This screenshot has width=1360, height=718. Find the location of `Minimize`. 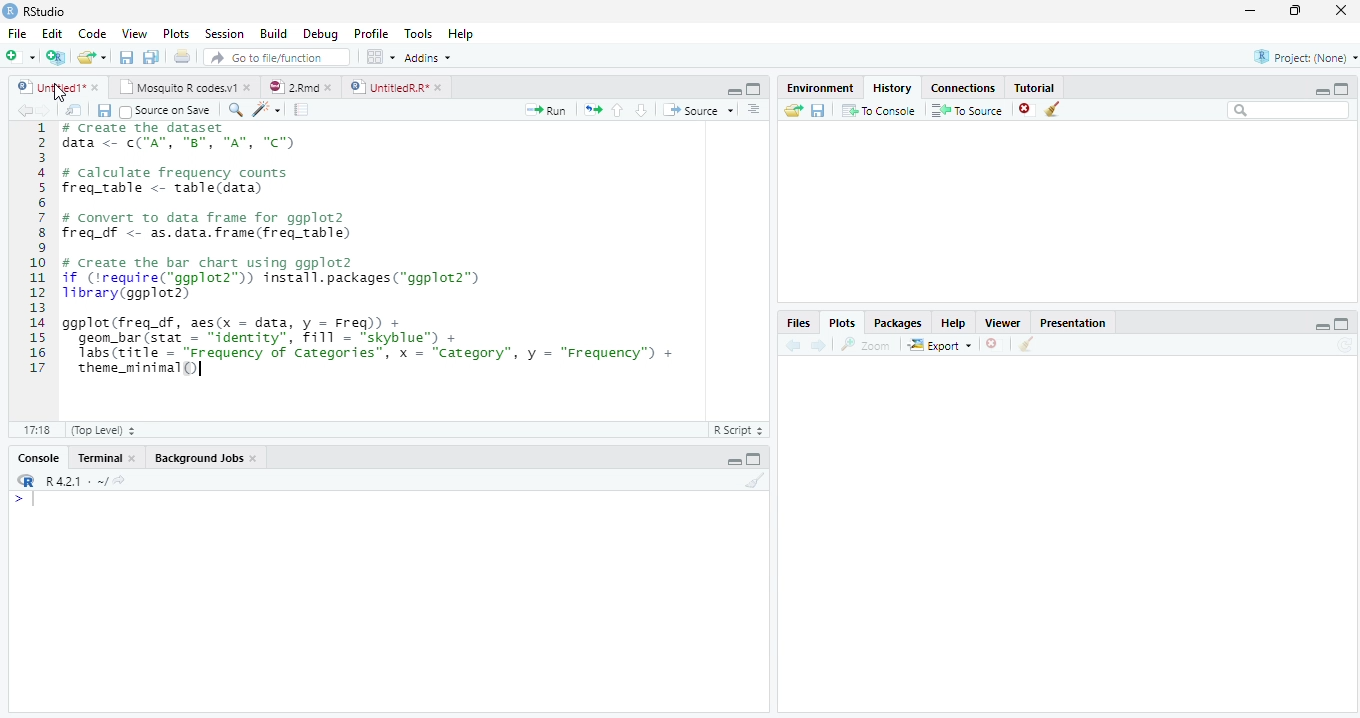

Minimize is located at coordinates (734, 461).